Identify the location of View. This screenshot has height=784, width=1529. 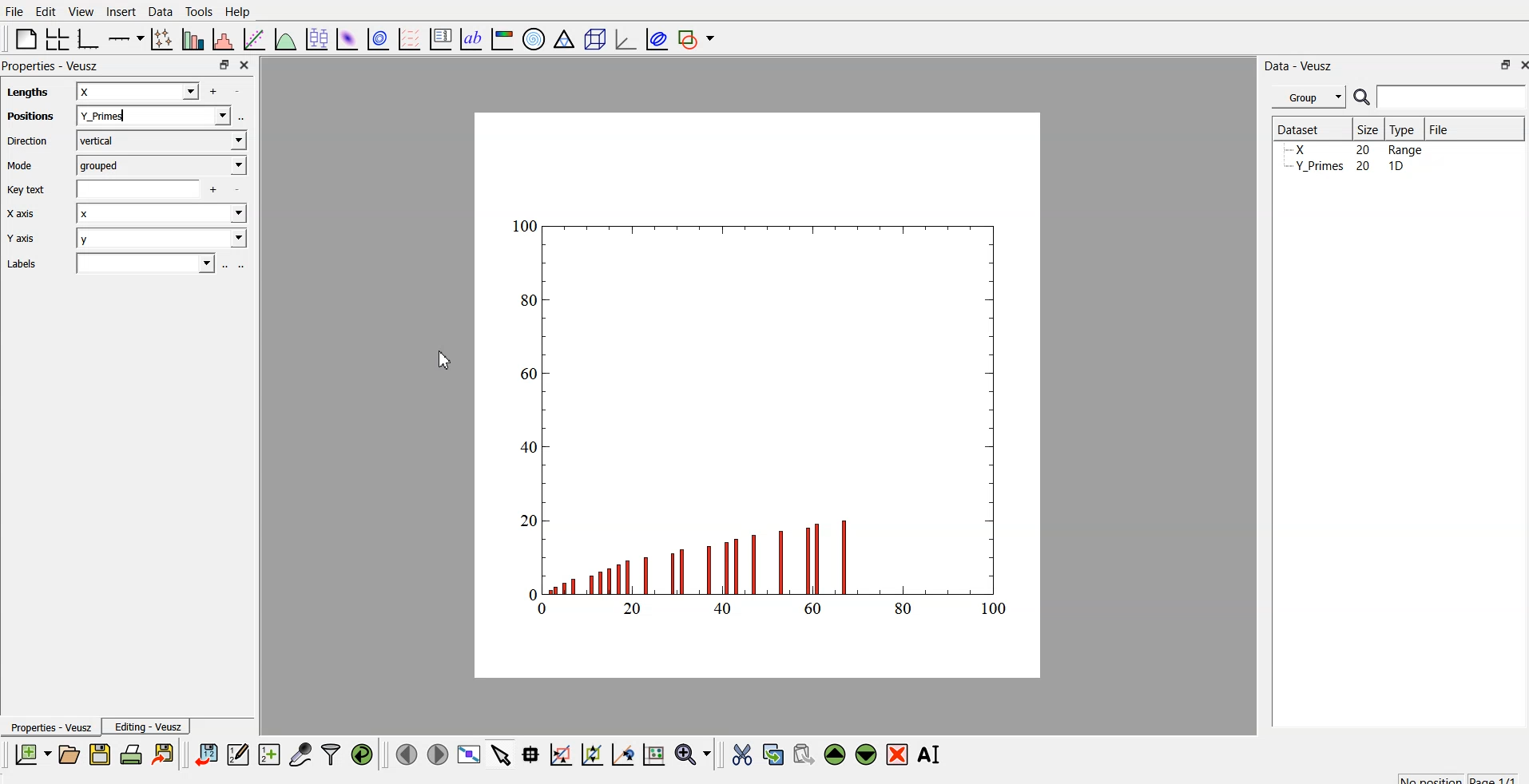
(82, 11).